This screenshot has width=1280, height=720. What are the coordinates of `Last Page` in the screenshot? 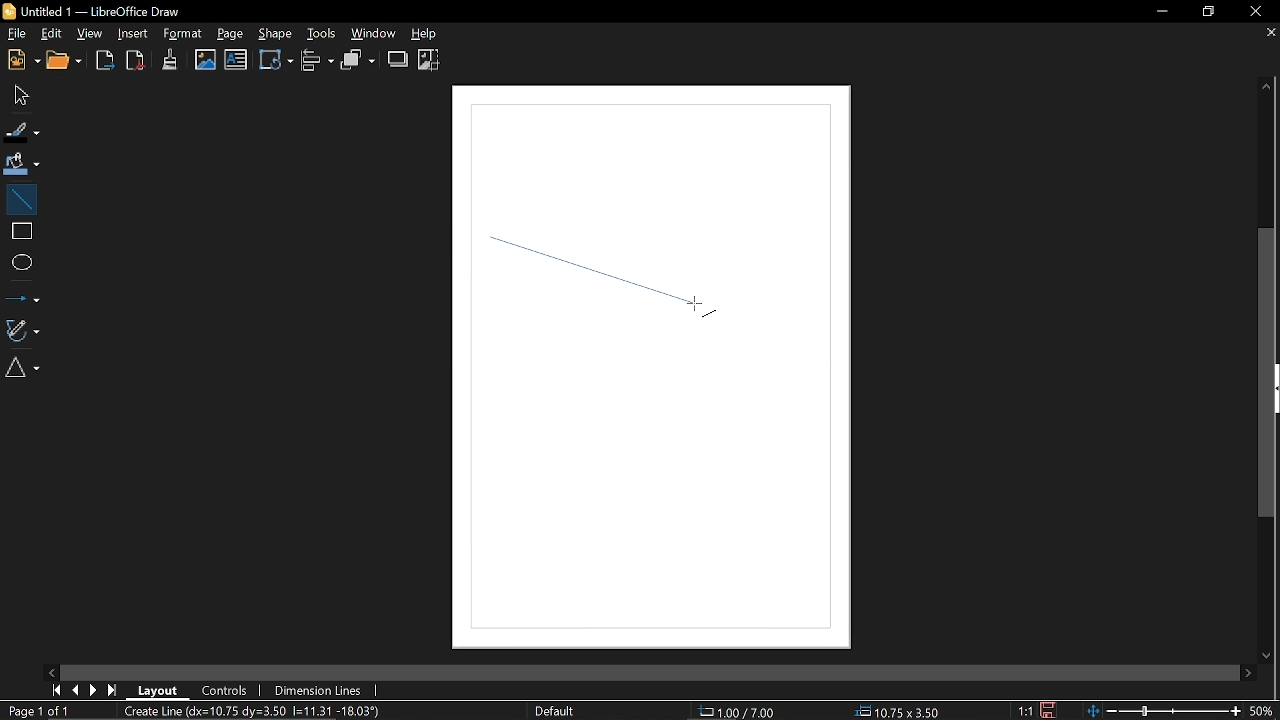 It's located at (113, 690).